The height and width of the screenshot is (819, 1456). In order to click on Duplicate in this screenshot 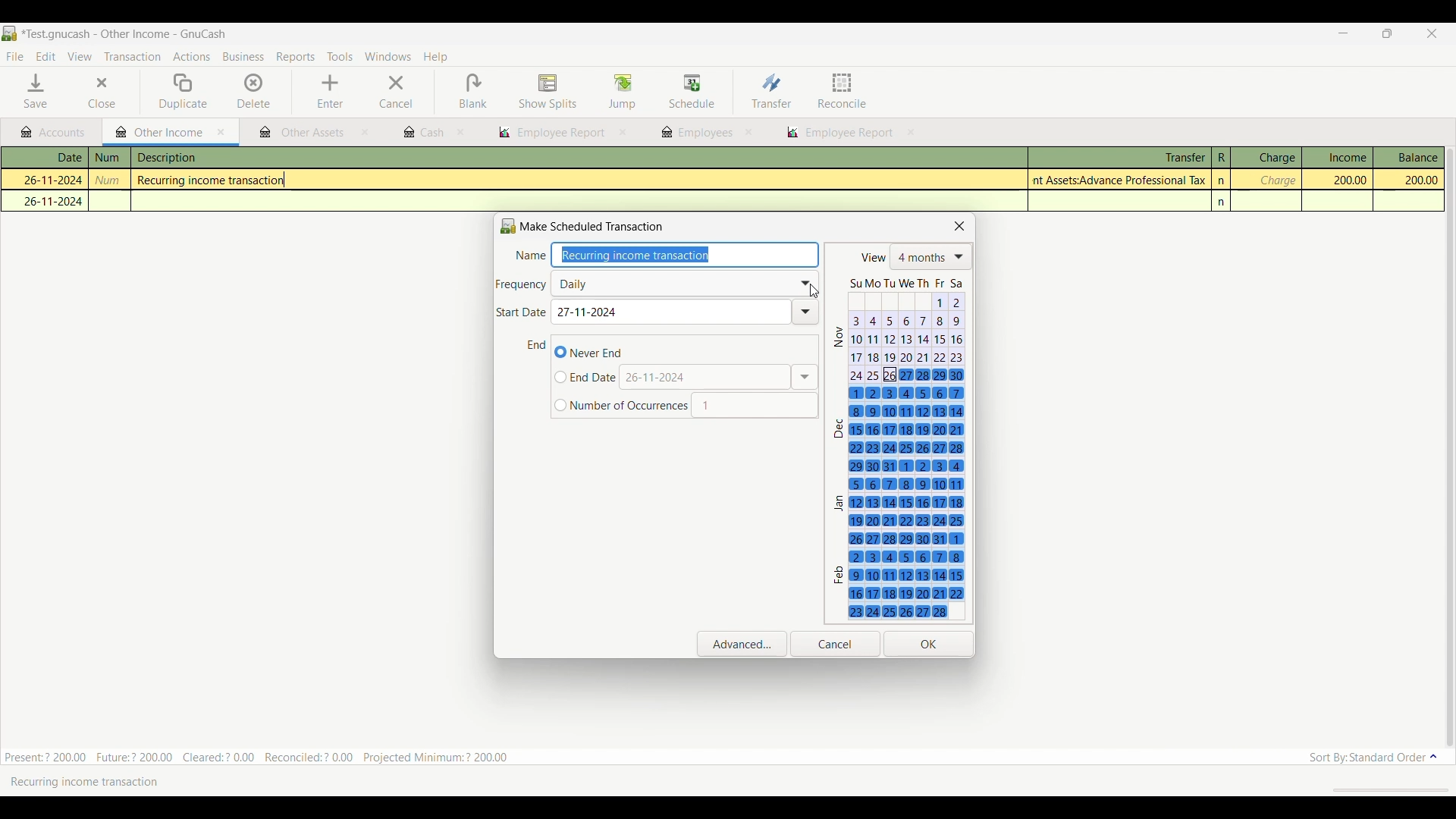, I will do `click(184, 92)`.